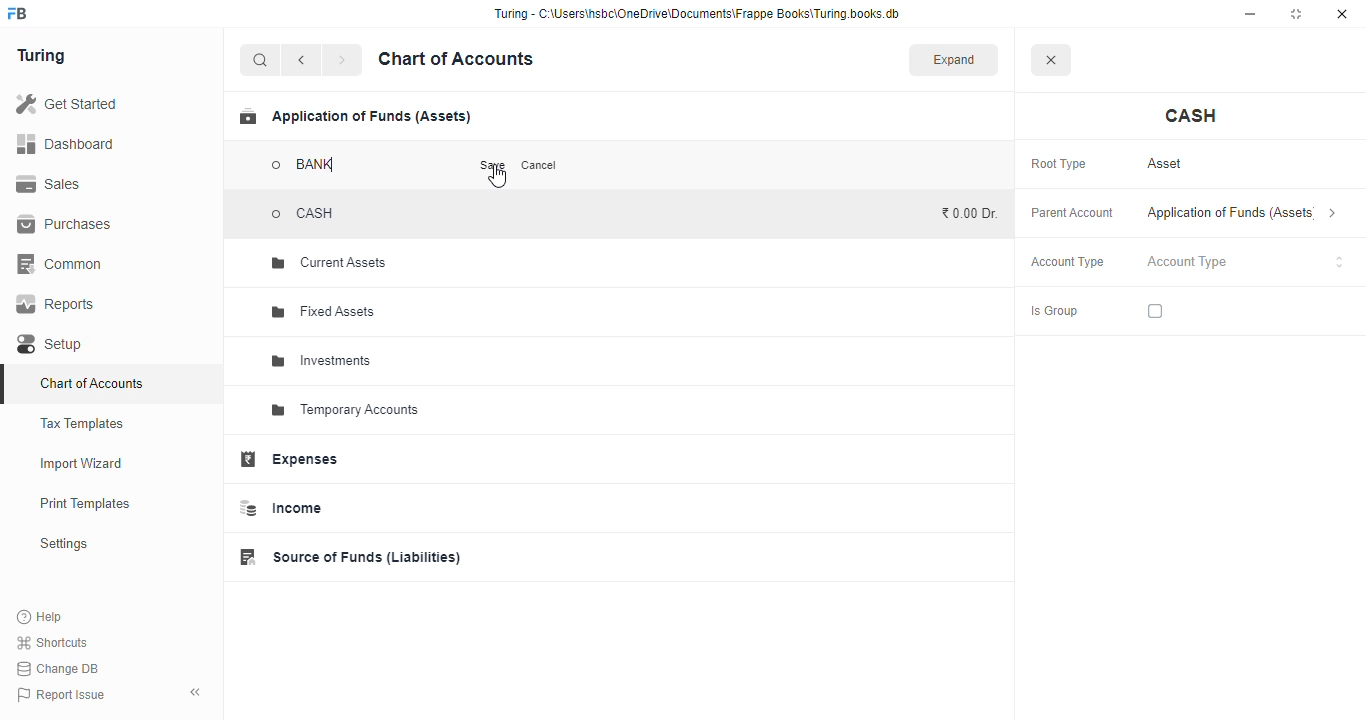 The image size is (1366, 720). What do you see at coordinates (1166, 164) in the screenshot?
I see `asset` at bounding box center [1166, 164].